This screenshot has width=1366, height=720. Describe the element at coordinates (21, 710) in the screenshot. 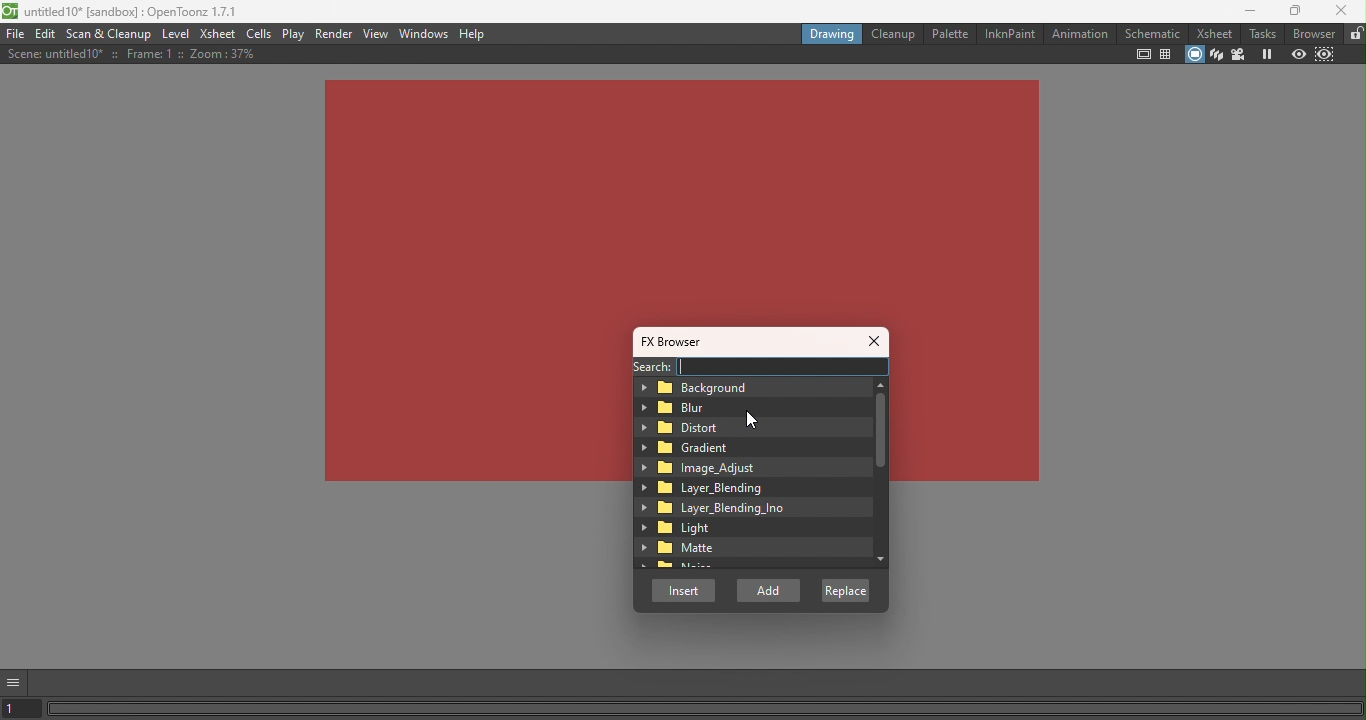

I see `Set the current frame` at that location.